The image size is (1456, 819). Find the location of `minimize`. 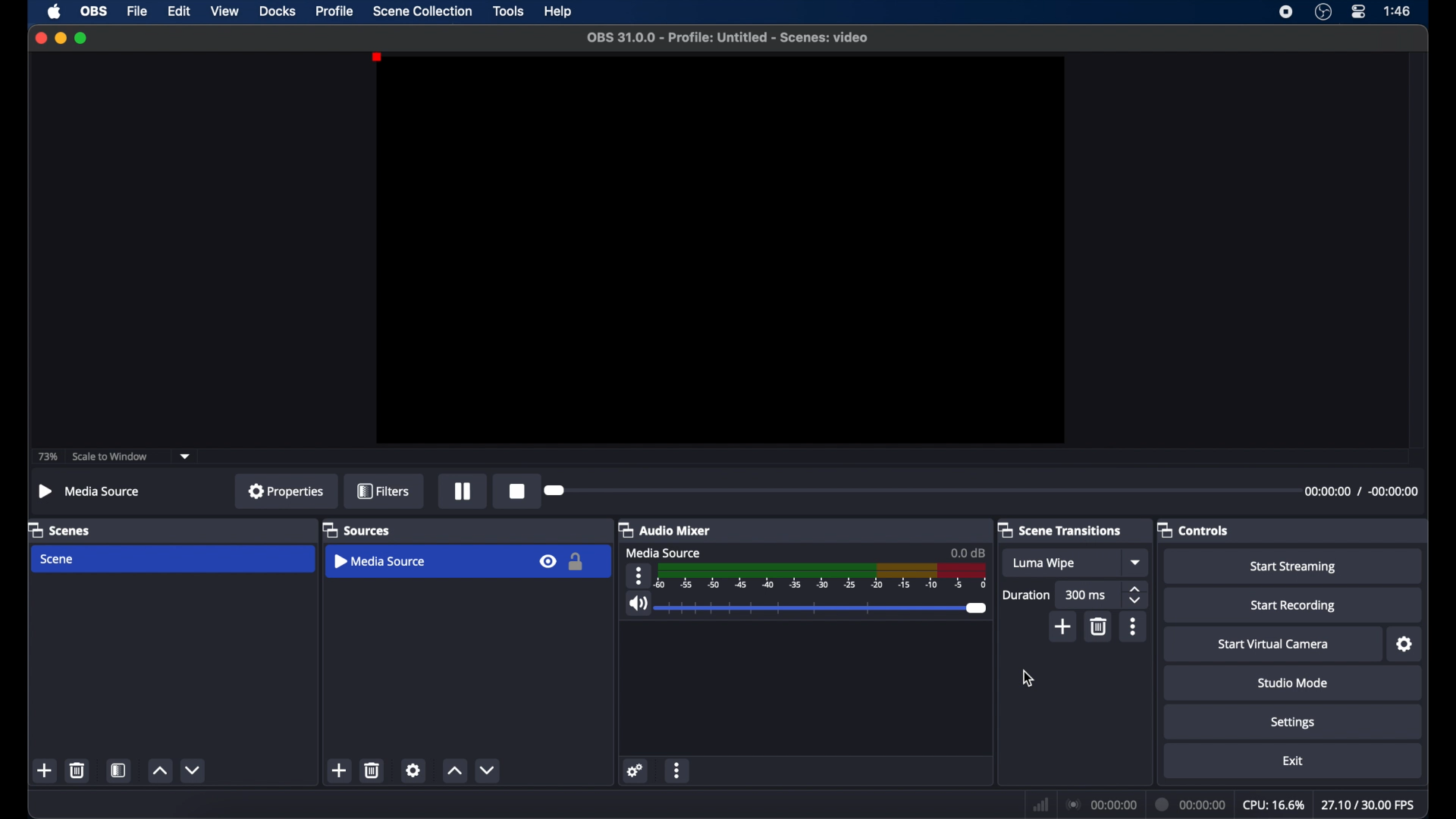

minimize is located at coordinates (60, 38).